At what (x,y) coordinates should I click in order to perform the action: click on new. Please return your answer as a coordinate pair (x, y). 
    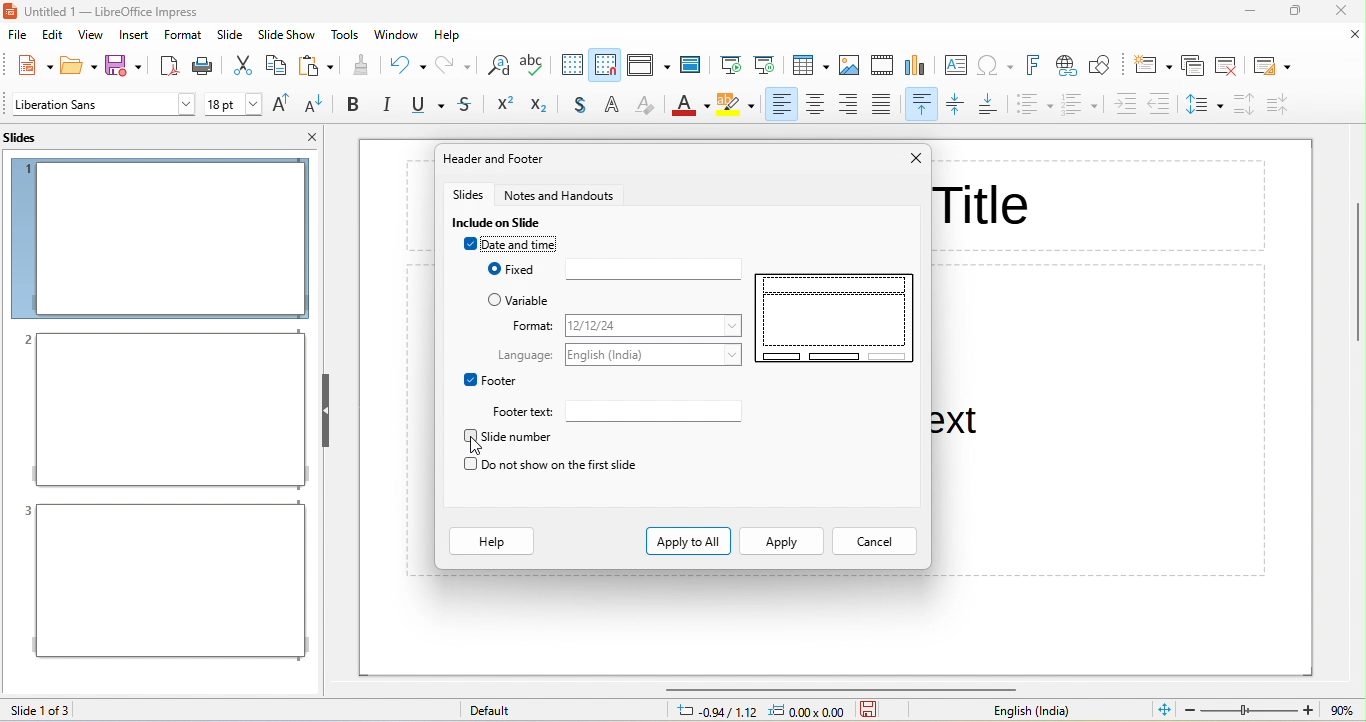
    Looking at the image, I should click on (29, 64).